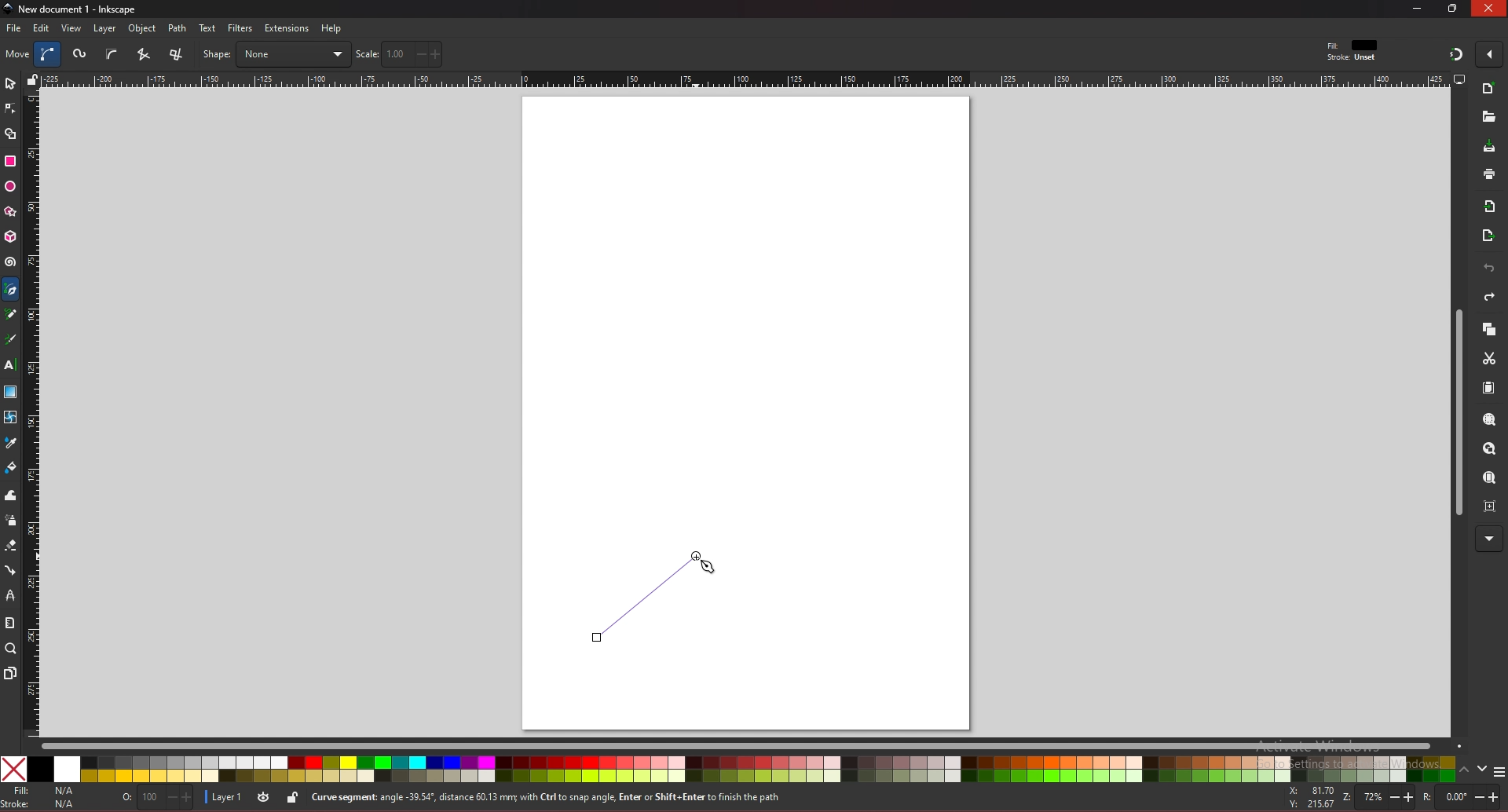 The height and width of the screenshot is (812, 1508). Describe the element at coordinates (1489, 269) in the screenshot. I see `undo` at that location.